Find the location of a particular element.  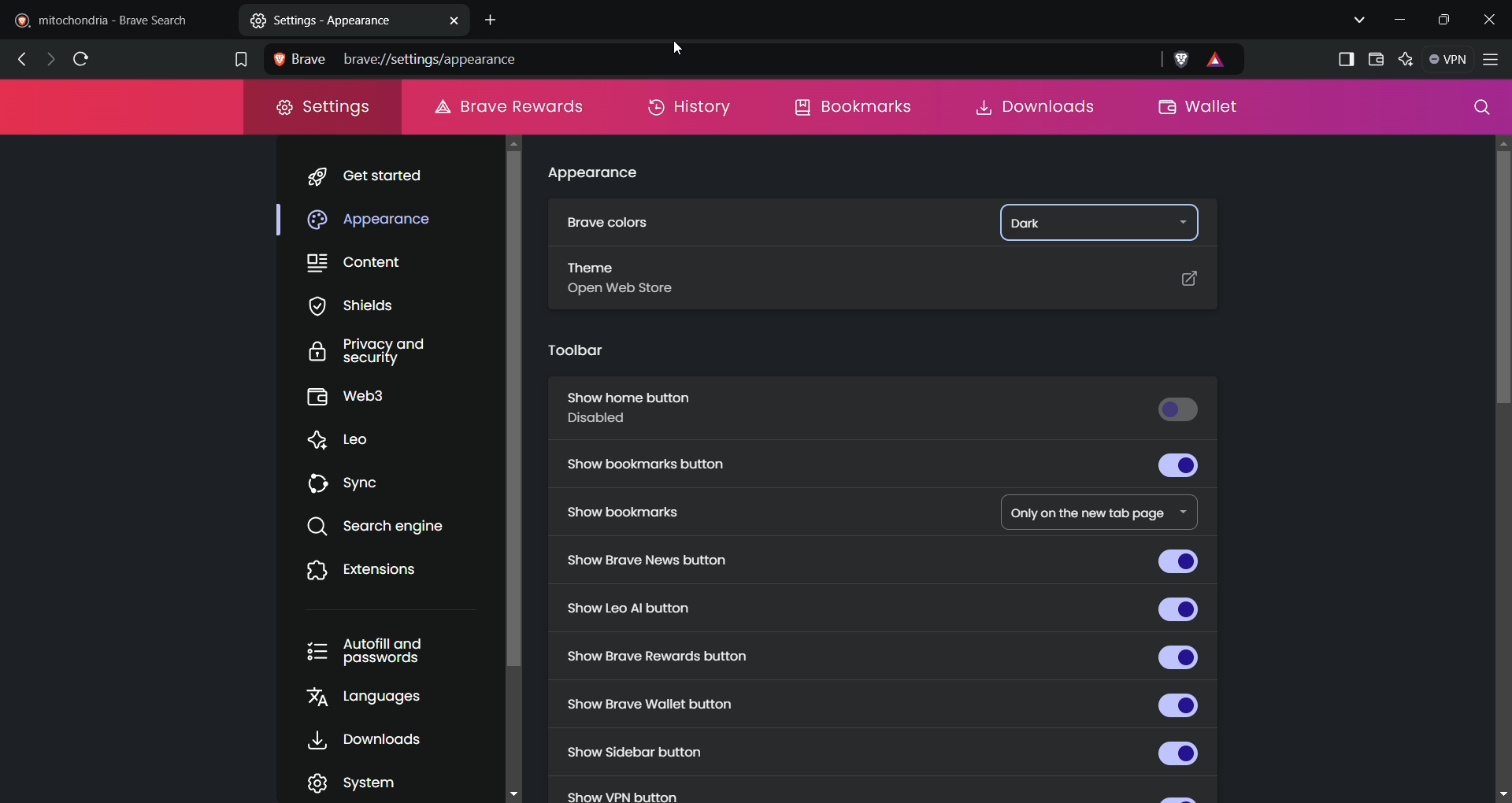

VPN is located at coordinates (1447, 58).